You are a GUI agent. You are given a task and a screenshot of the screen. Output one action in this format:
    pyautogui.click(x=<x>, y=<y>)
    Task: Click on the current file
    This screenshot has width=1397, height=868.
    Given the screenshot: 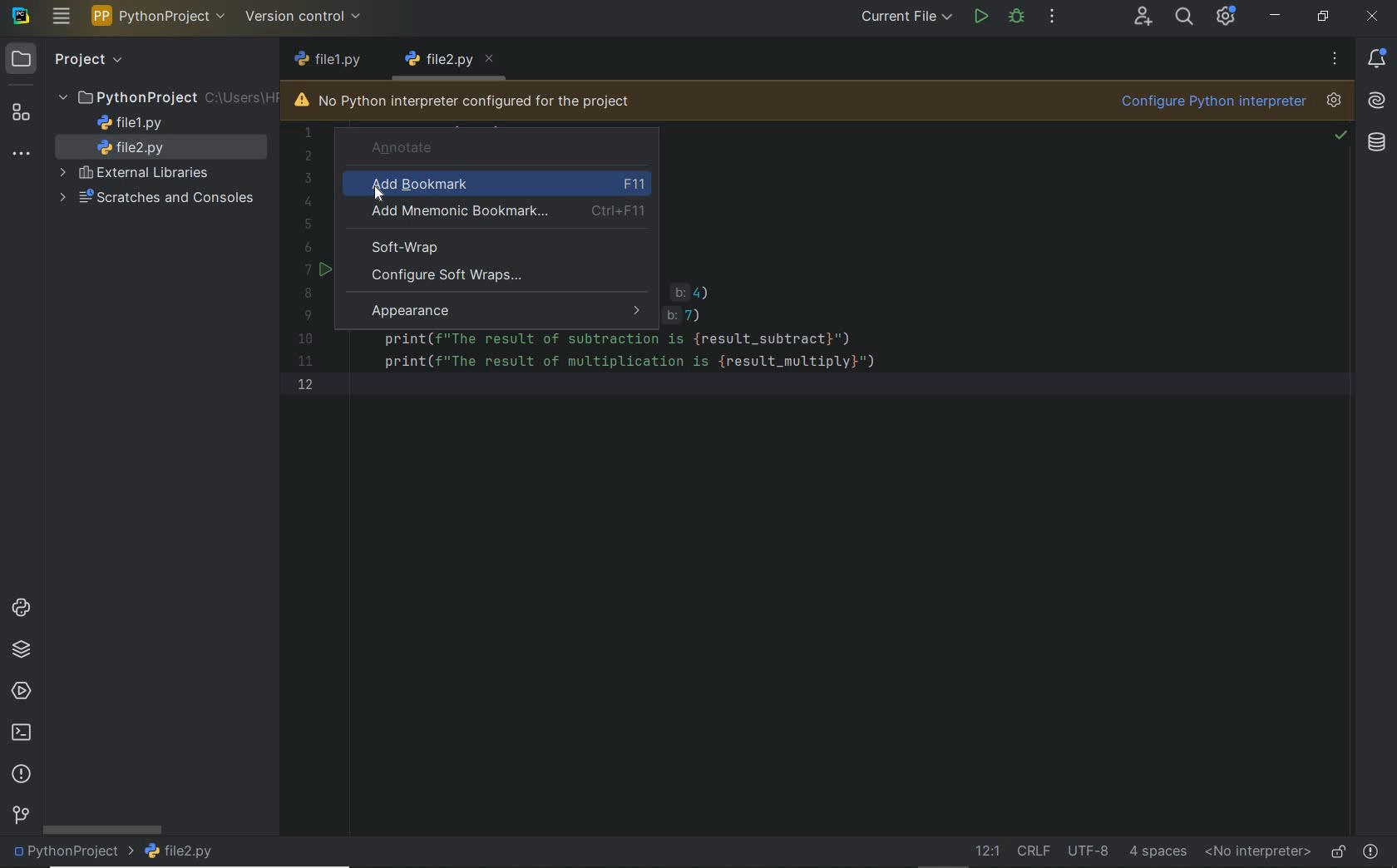 What is the action you would take?
    pyautogui.click(x=906, y=16)
    